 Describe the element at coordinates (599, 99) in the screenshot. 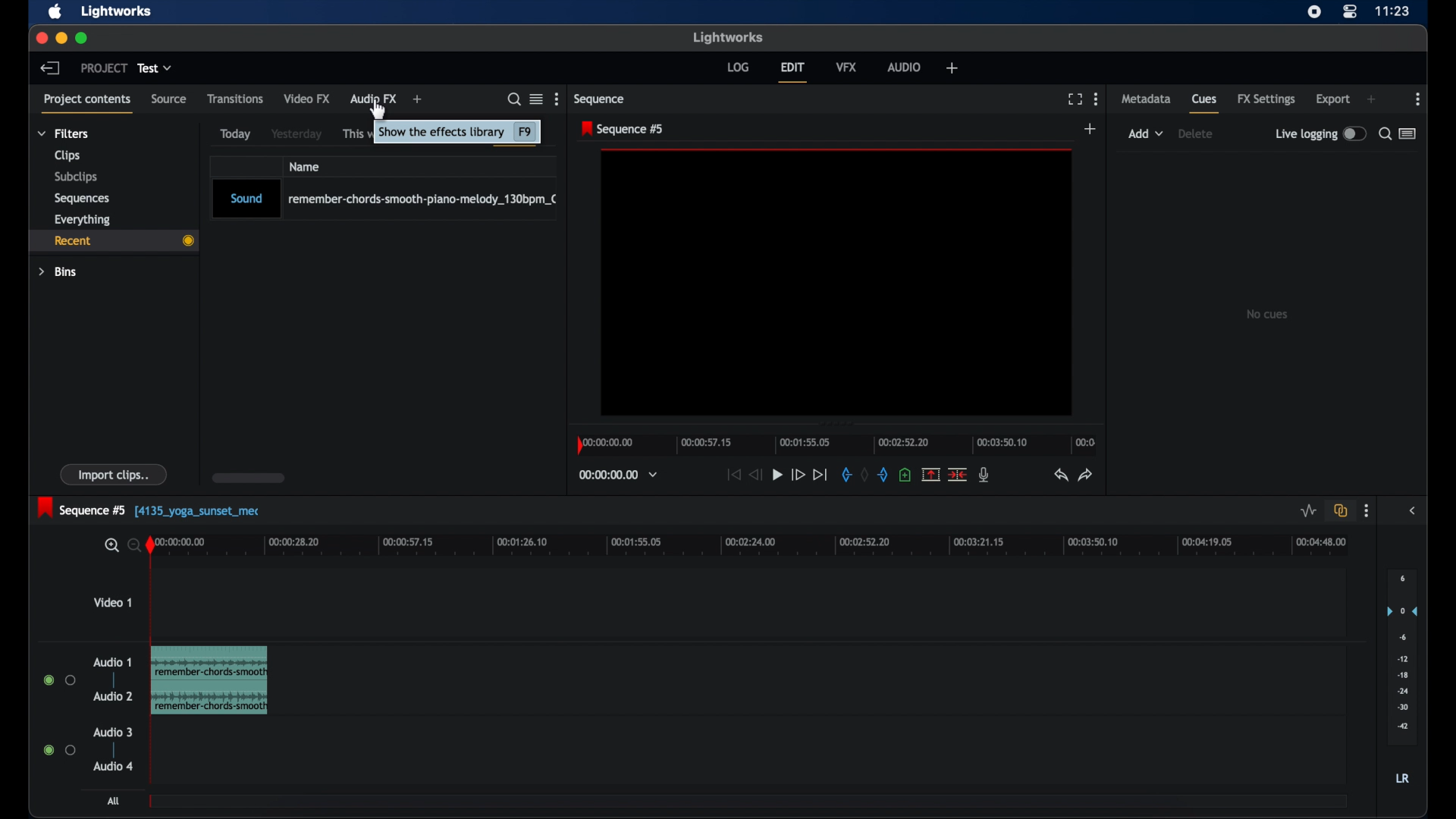

I see `sequence` at that location.